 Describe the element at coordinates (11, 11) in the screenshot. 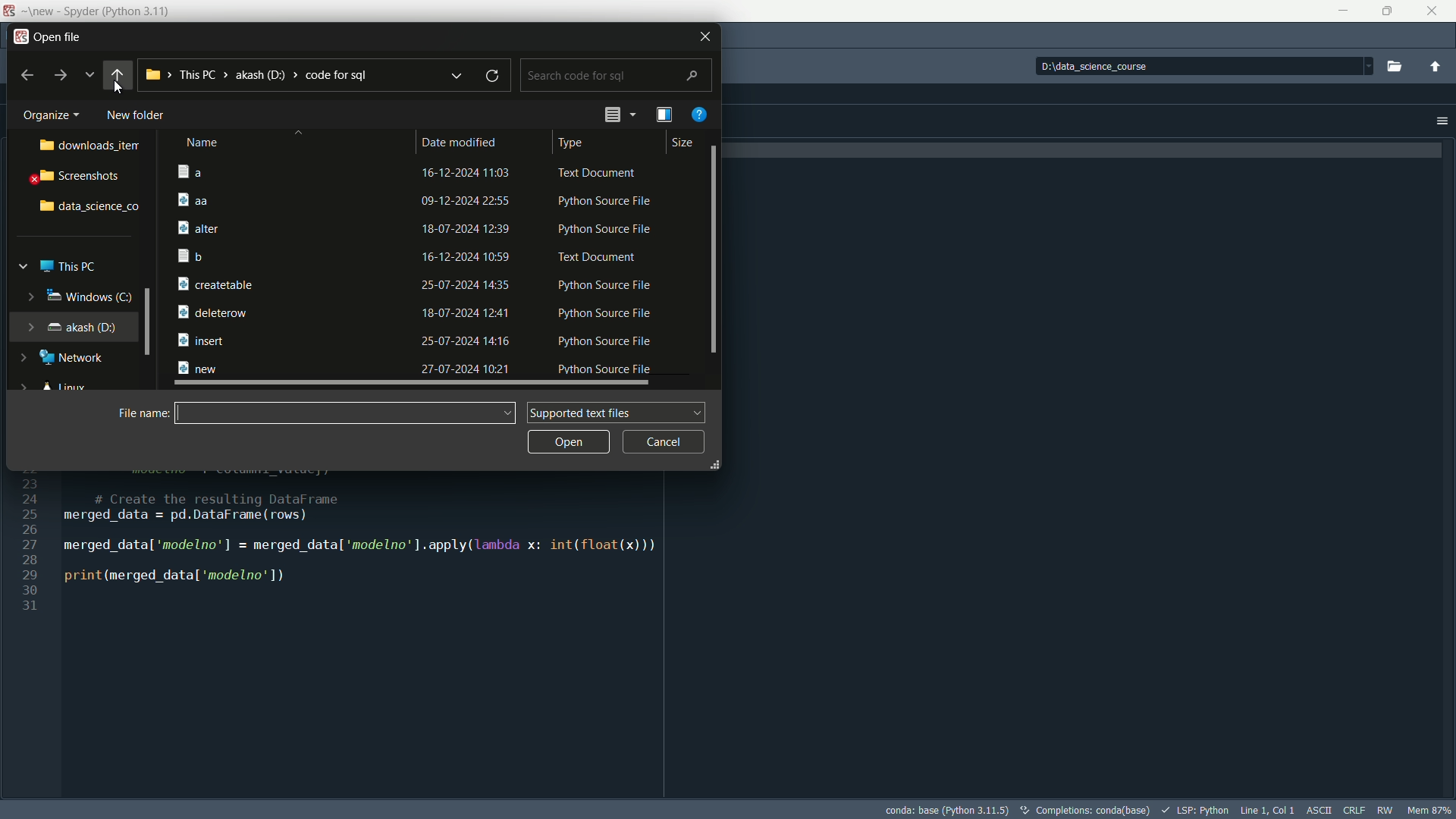

I see `app icon` at that location.